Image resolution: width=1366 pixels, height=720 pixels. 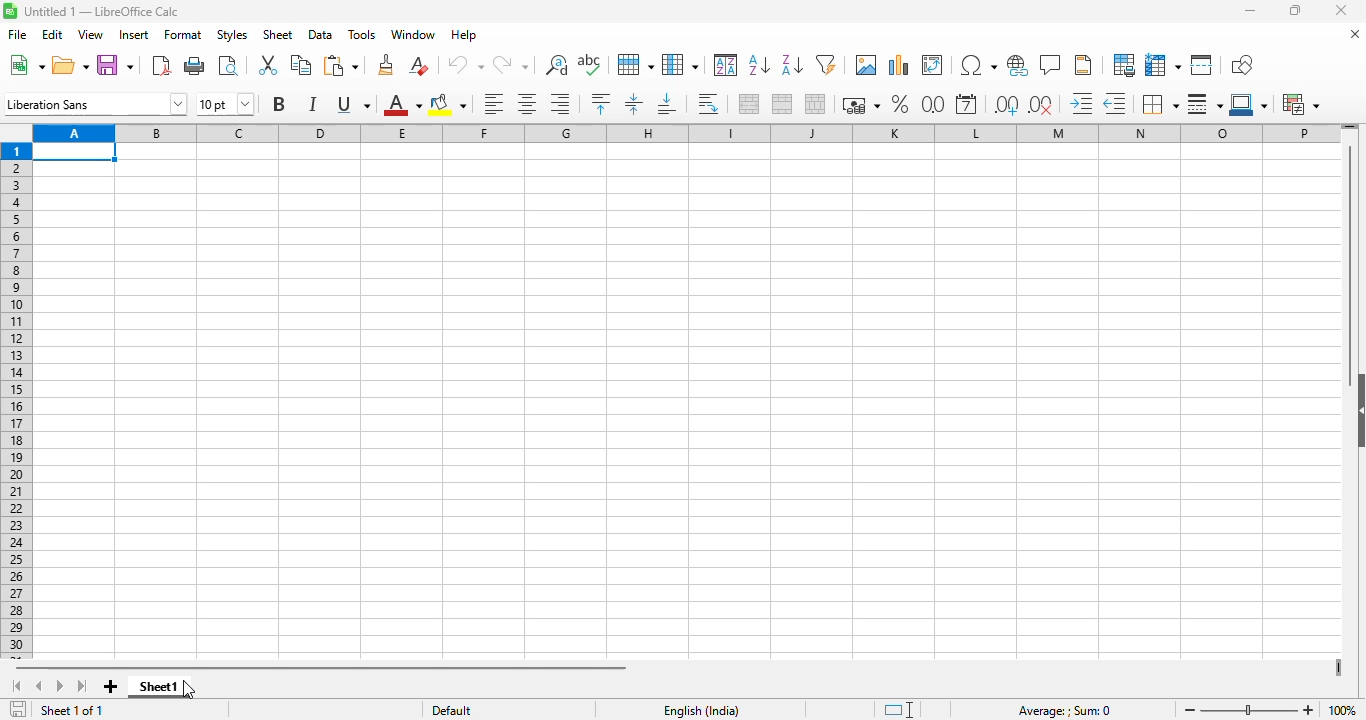 I want to click on window, so click(x=414, y=34).